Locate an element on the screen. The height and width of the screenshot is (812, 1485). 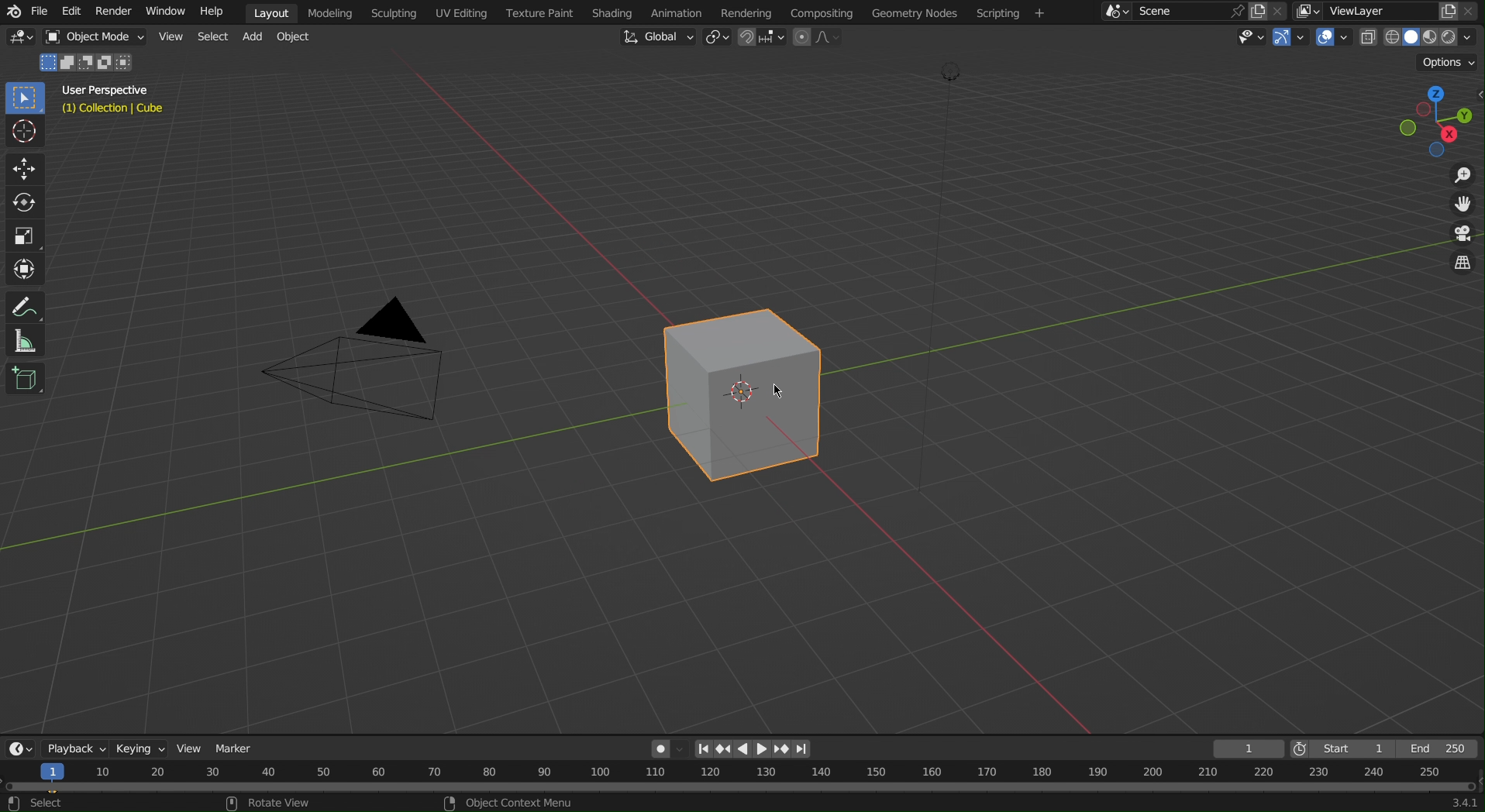
Scripting is located at coordinates (1008, 13).